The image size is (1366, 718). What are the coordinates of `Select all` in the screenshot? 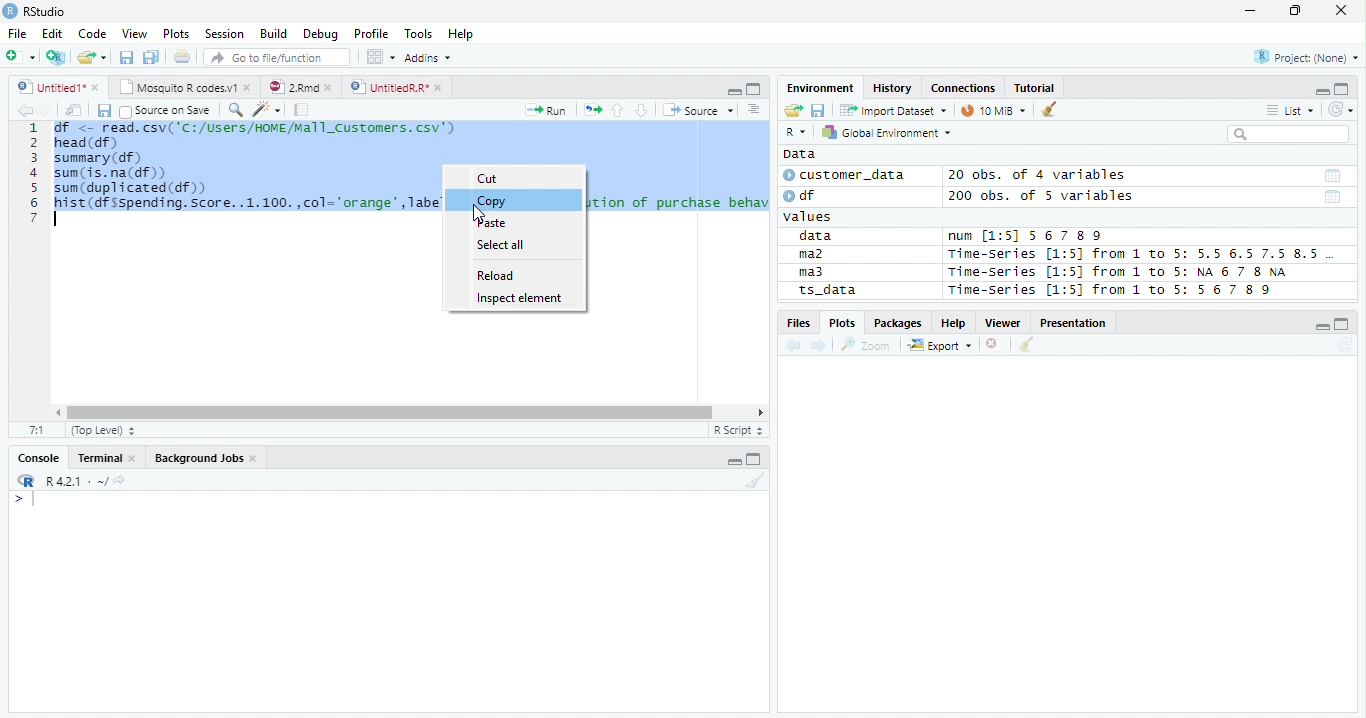 It's located at (501, 245).